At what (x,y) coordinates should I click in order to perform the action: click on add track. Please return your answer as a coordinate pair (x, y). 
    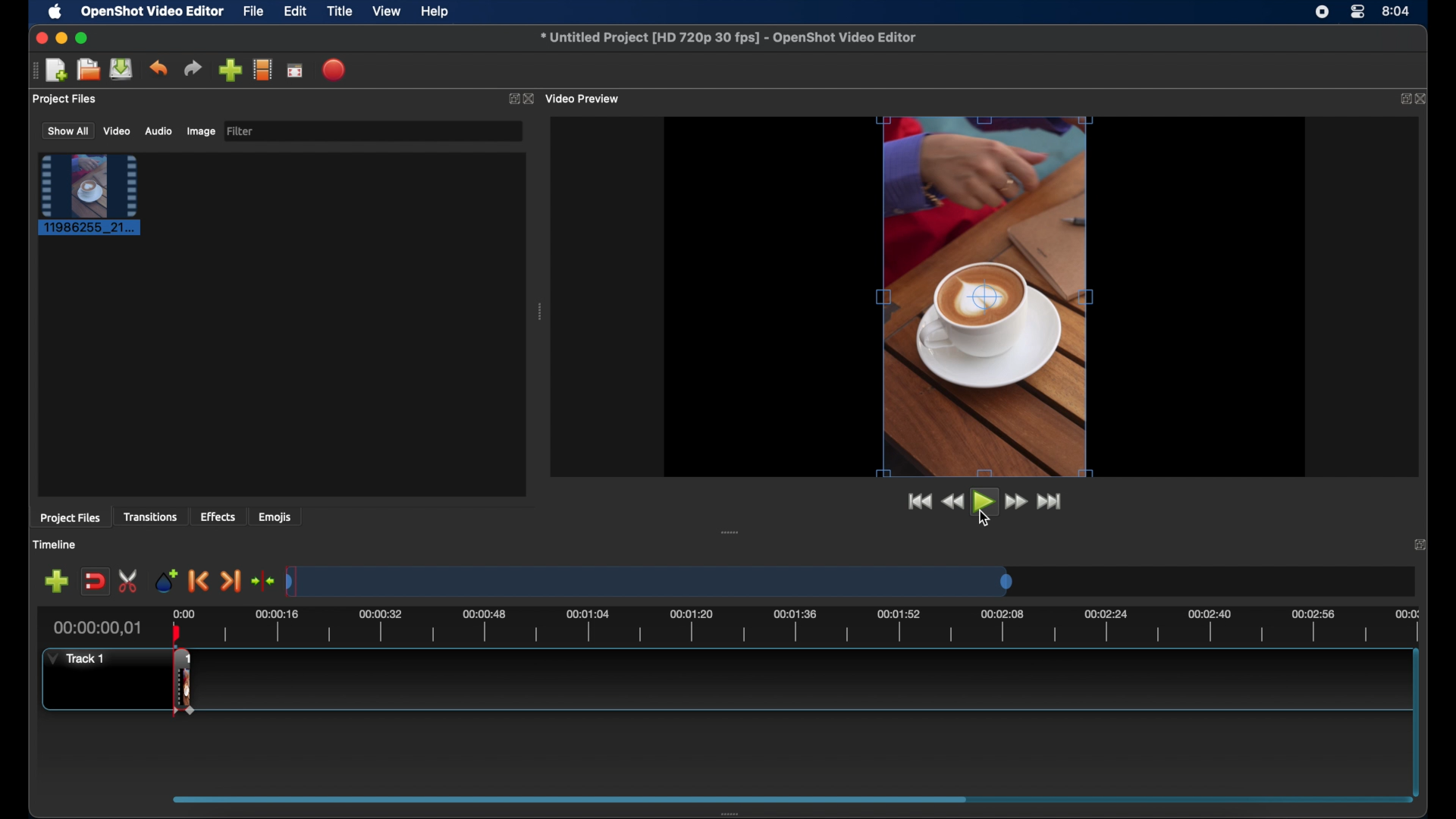
    Looking at the image, I should click on (56, 581).